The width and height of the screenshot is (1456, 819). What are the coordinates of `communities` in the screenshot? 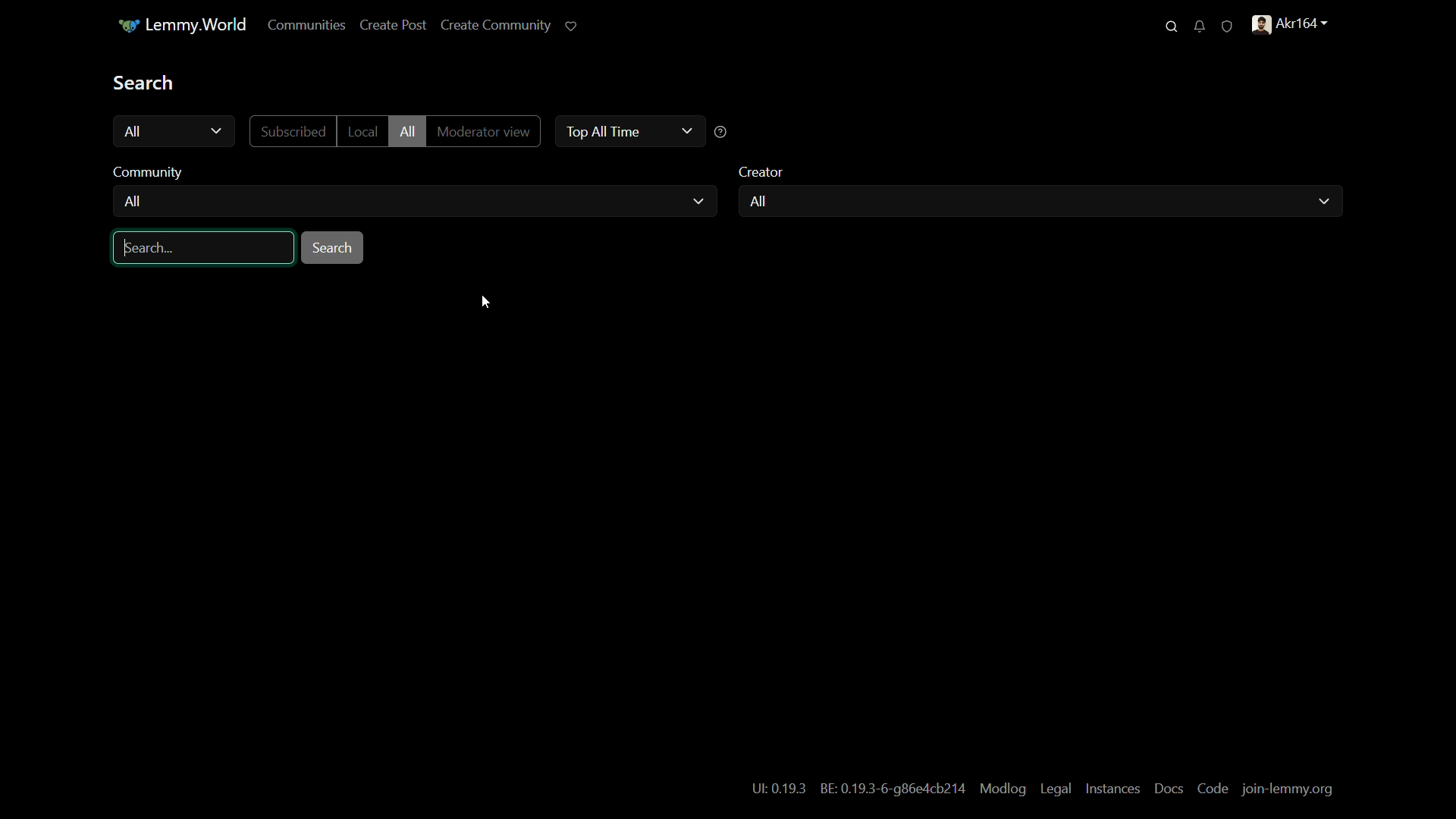 It's located at (307, 26).